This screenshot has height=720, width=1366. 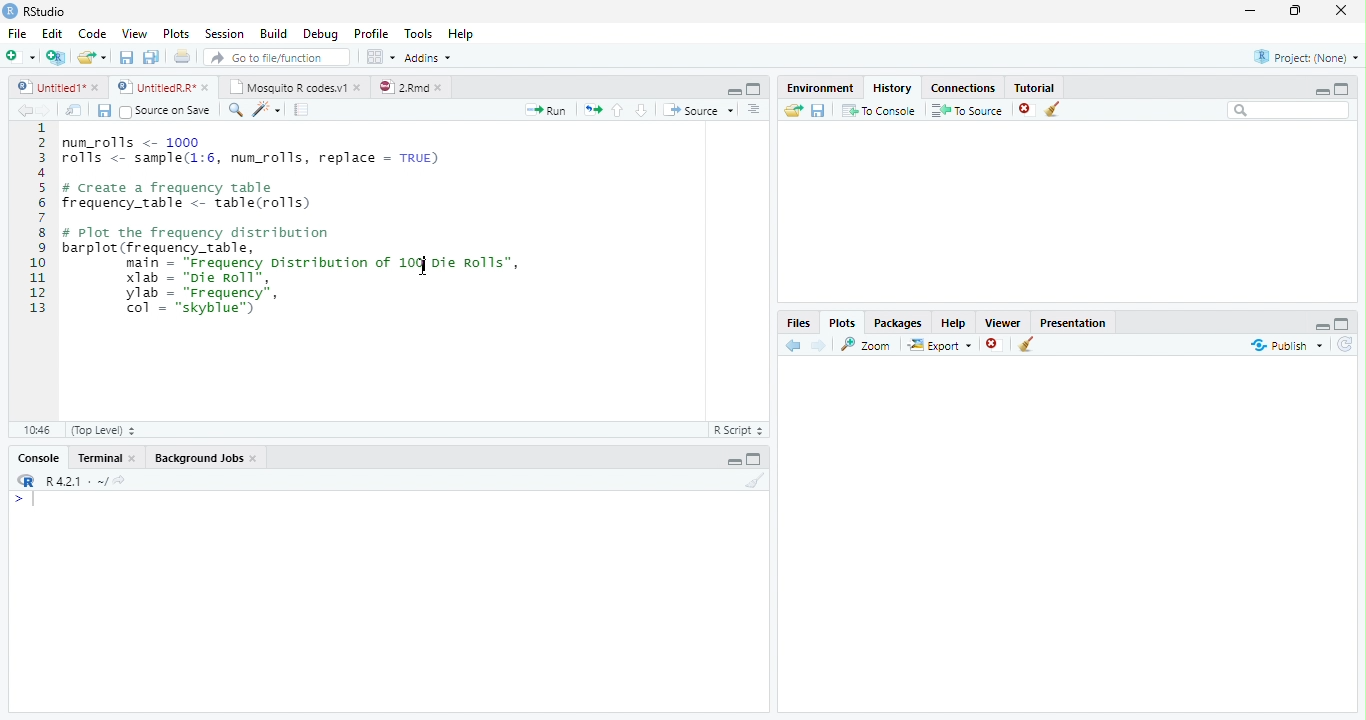 I want to click on Run, so click(x=547, y=110).